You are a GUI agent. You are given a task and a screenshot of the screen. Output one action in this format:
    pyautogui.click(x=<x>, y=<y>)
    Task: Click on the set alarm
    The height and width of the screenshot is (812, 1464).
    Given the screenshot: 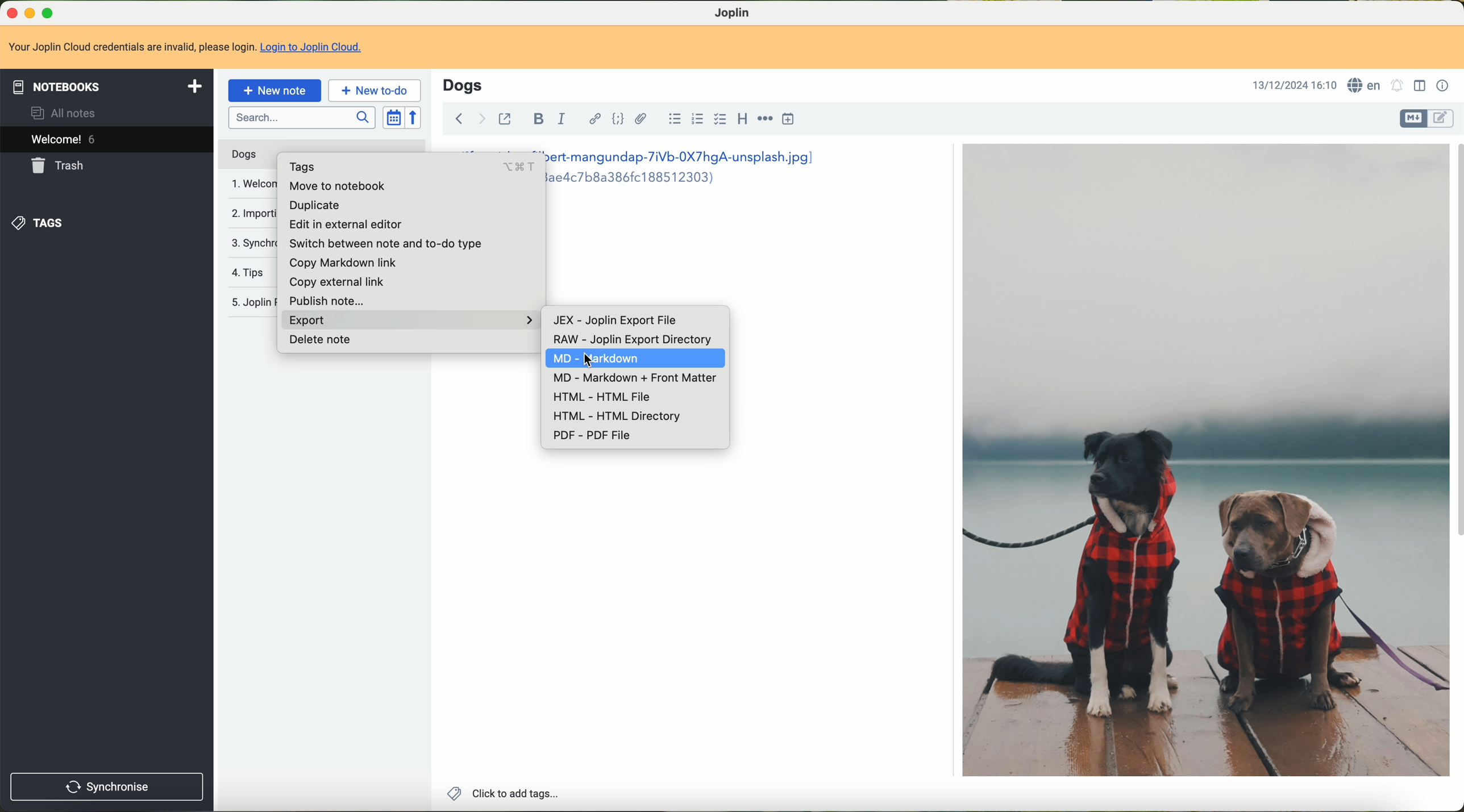 What is the action you would take?
    pyautogui.click(x=1396, y=85)
    